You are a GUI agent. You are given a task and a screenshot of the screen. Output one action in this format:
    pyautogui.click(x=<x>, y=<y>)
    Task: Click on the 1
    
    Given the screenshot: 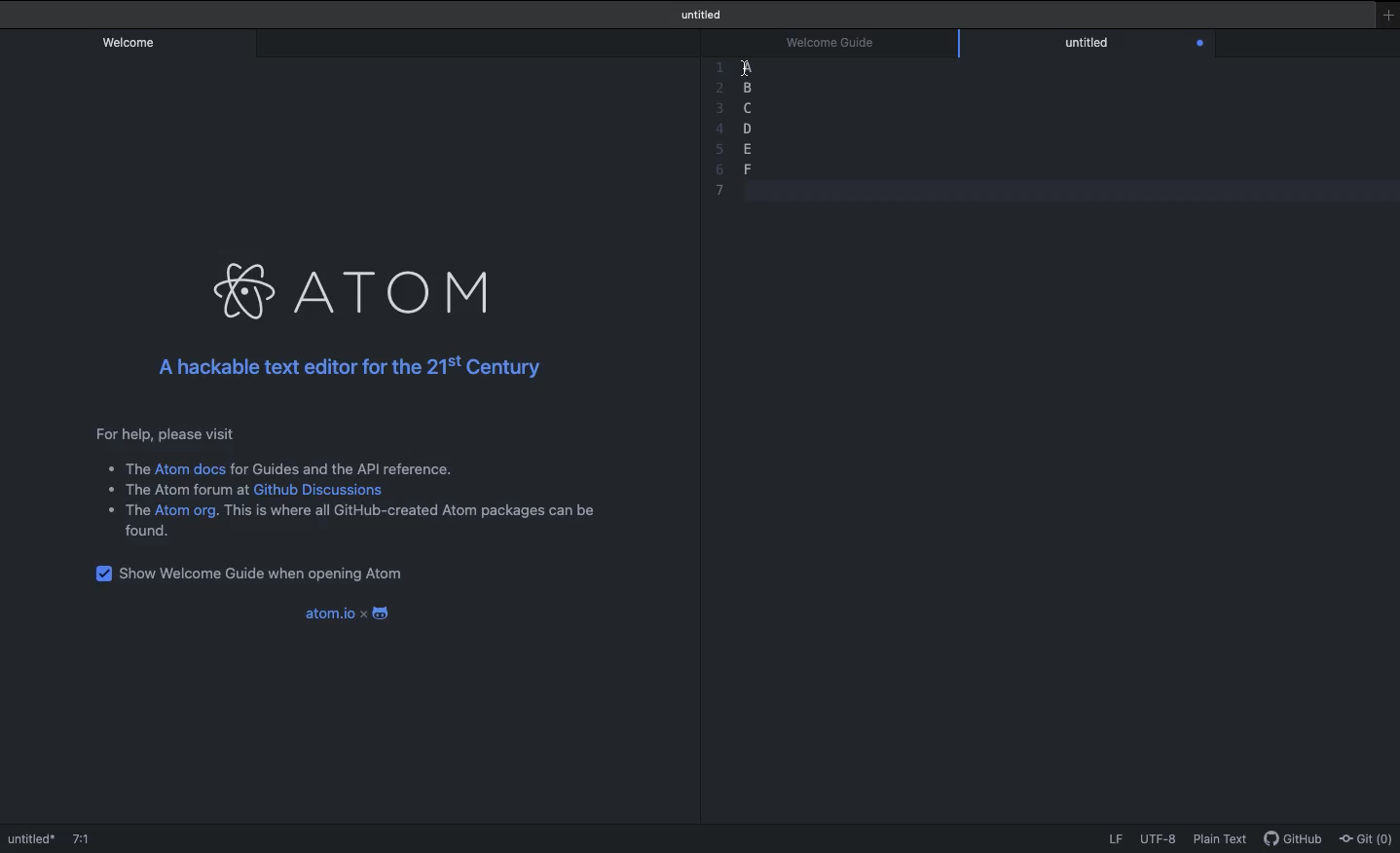 What is the action you would take?
    pyautogui.click(x=714, y=69)
    